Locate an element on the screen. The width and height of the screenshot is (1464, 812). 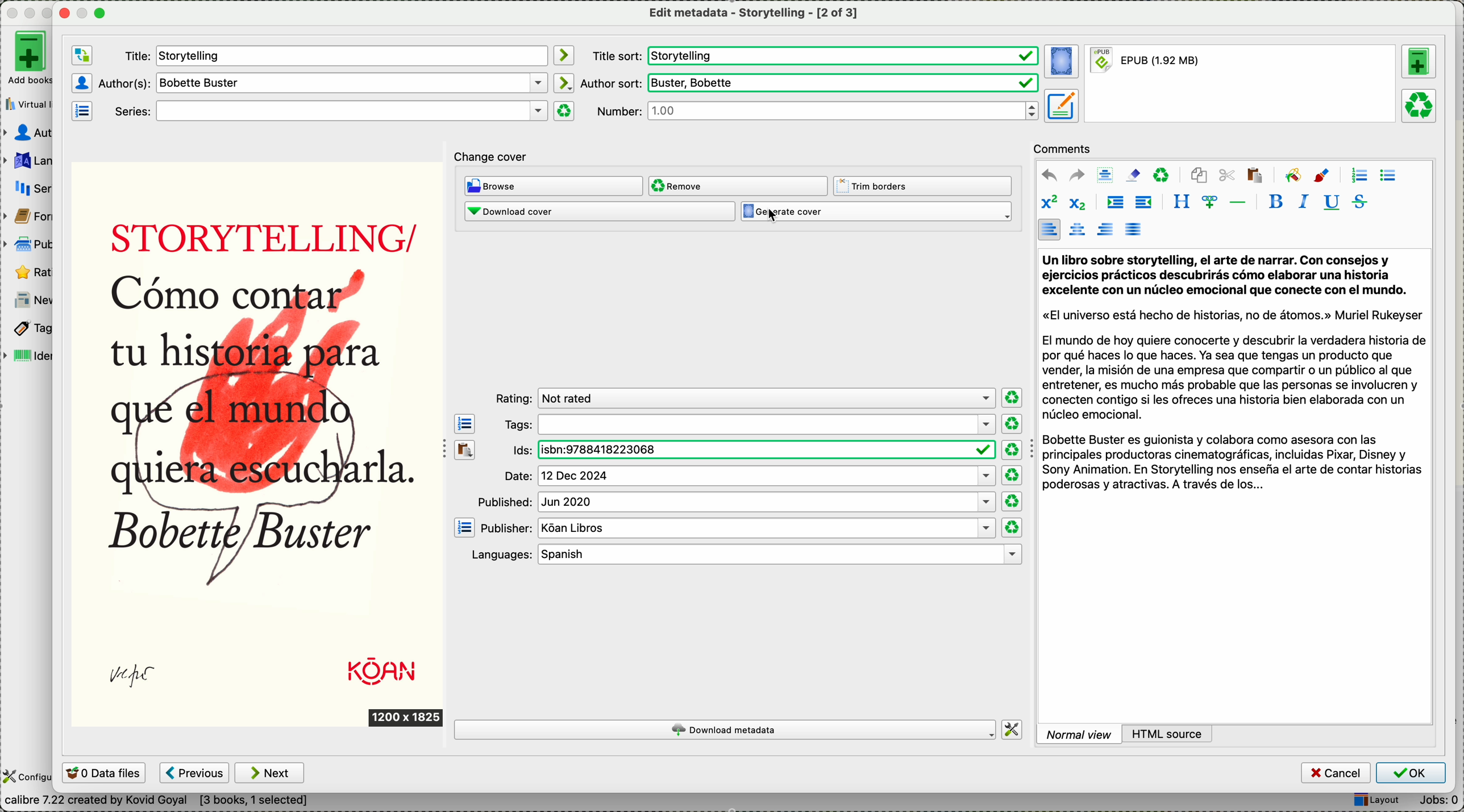
tags is located at coordinates (32, 328).